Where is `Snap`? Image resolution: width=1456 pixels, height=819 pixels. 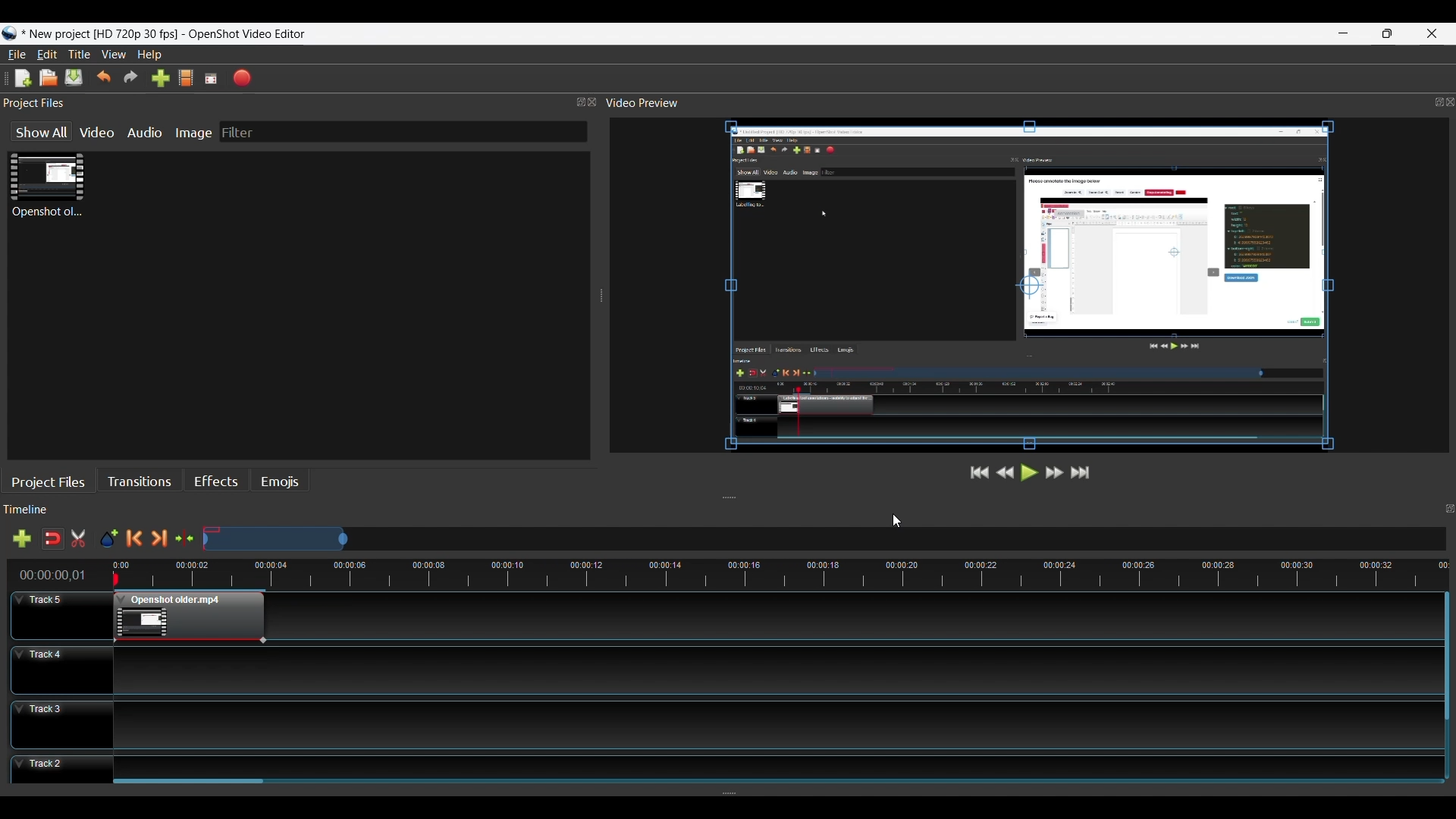 Snap is located at coordinates (52, 539).